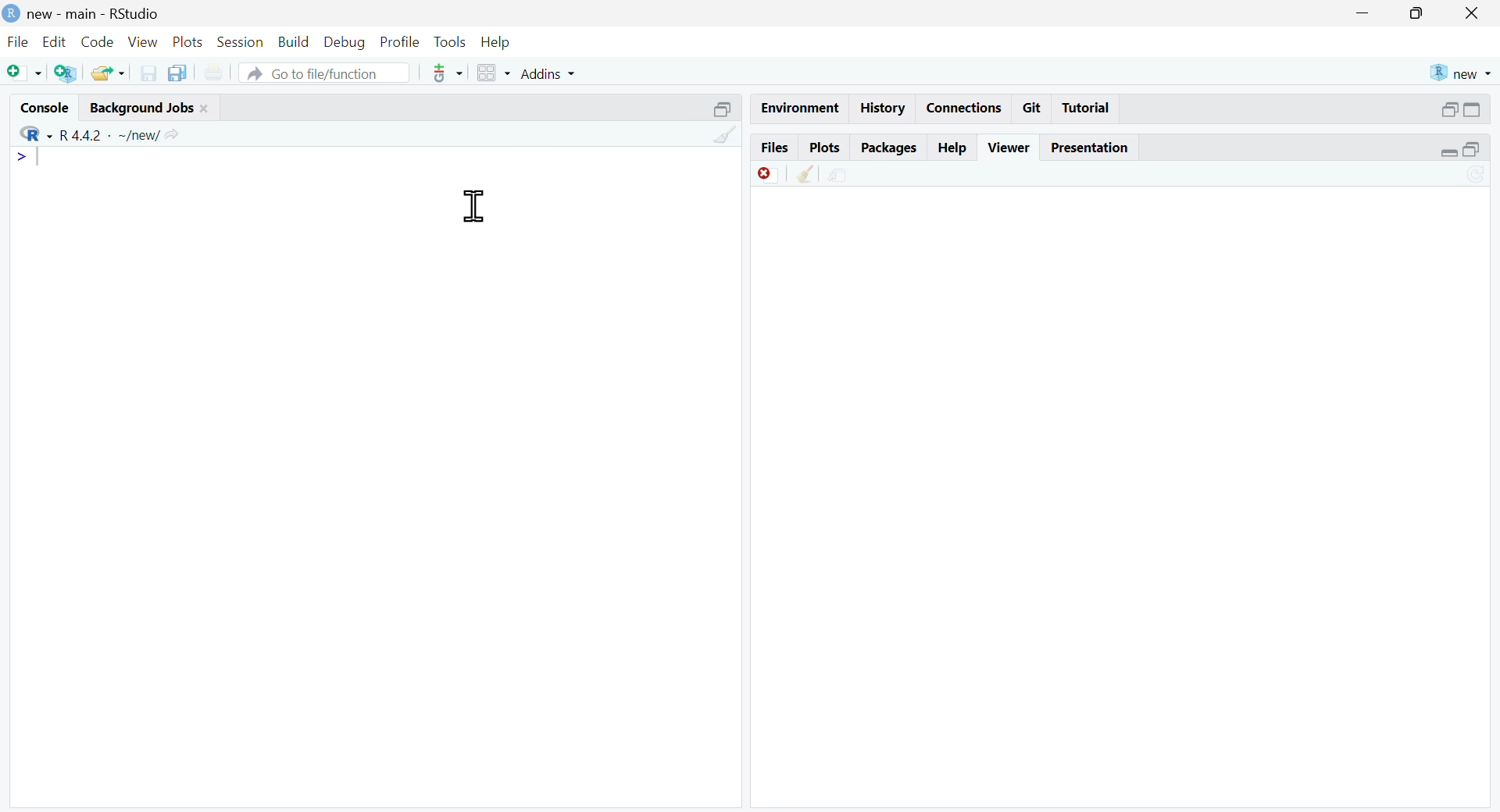 This screenshot has height=812, width=1500. What do you see at coordinates (97, 42) in the screenshot?
I see `code` at bounding box center [97, 42].